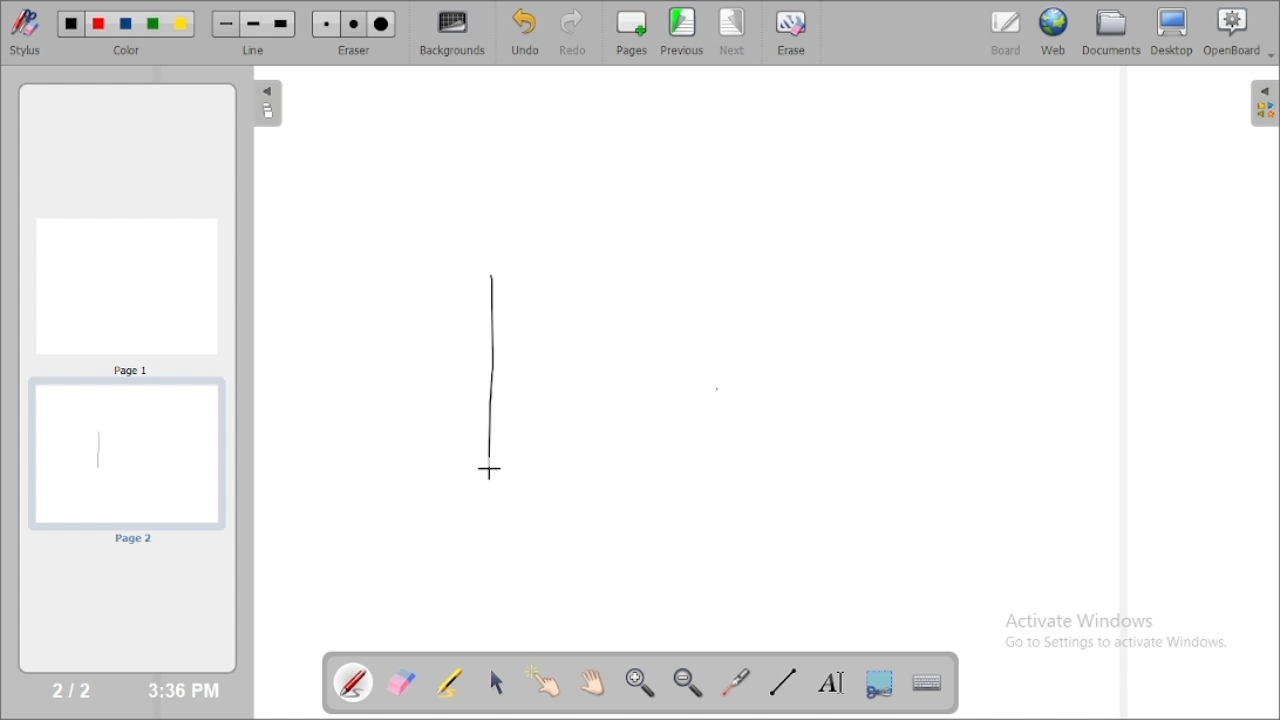  I want to click on draw lines, so click(782, 681).